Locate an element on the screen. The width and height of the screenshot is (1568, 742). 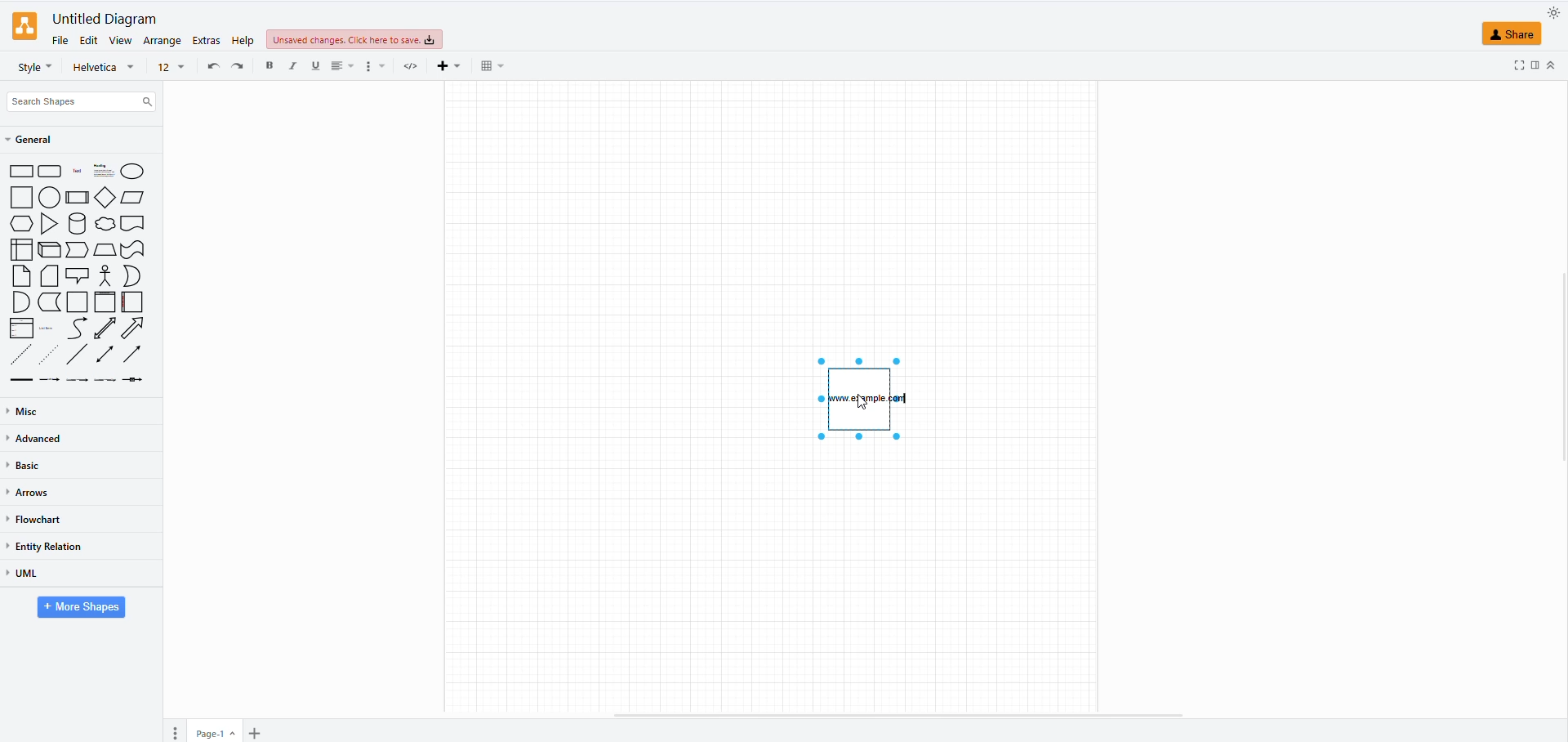
up is located at coordinates (1555, 65).